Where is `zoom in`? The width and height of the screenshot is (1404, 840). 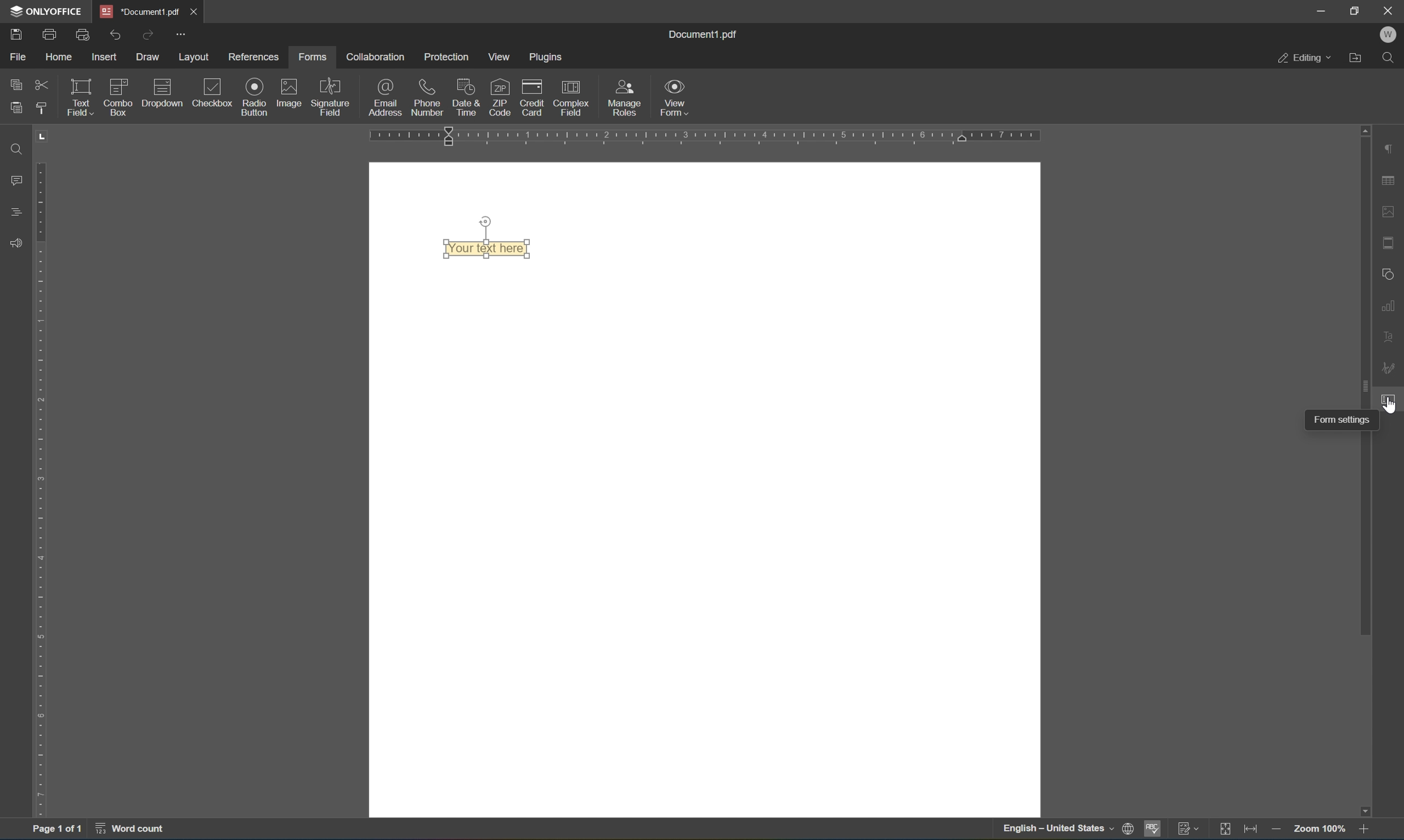
zoom in is located at coordinates (1369, 832).